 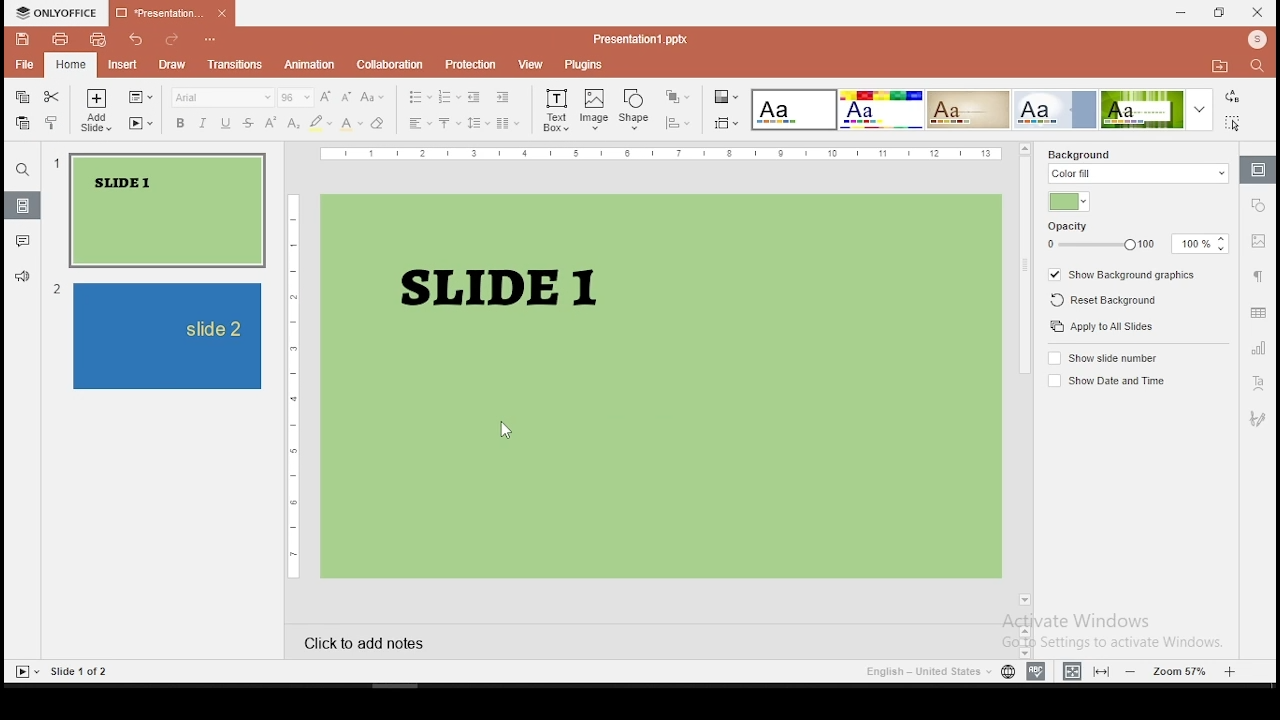 I want to click on find, so click(x=21, y=169).